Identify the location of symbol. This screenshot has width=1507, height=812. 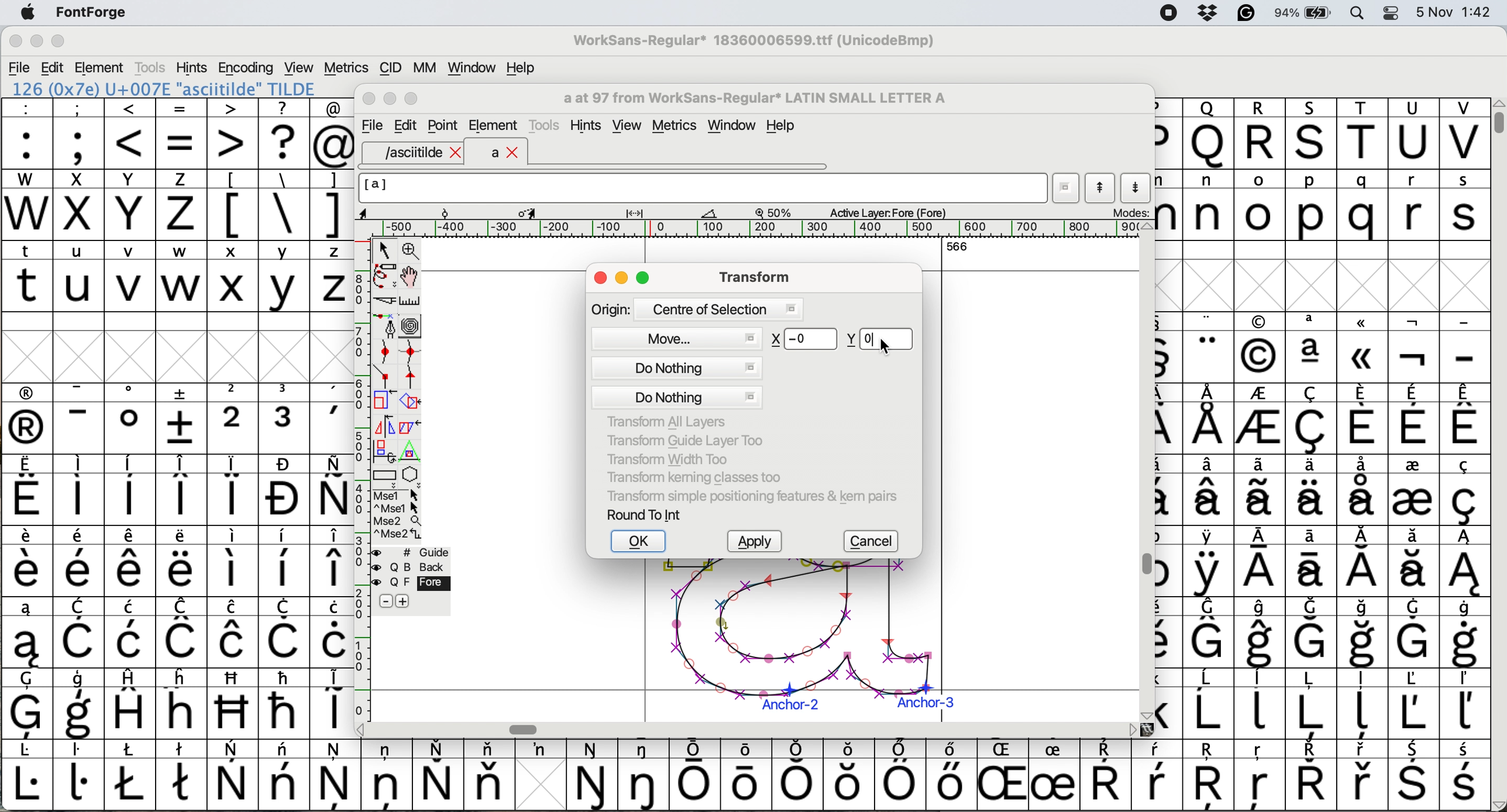
(1209, 632).